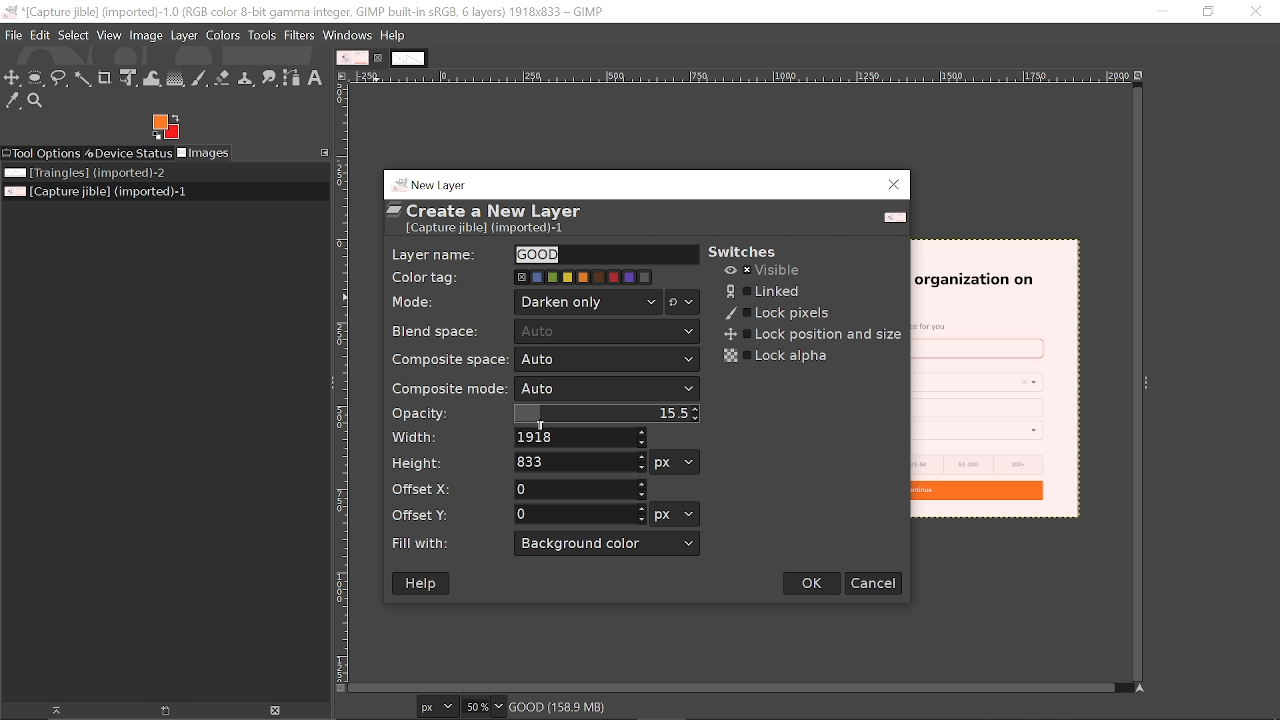 The width and height of the screenshot is (1280, 720). Describe the element at coordinates (292, 78) in the screenshot. I see `Path tool` at that location.